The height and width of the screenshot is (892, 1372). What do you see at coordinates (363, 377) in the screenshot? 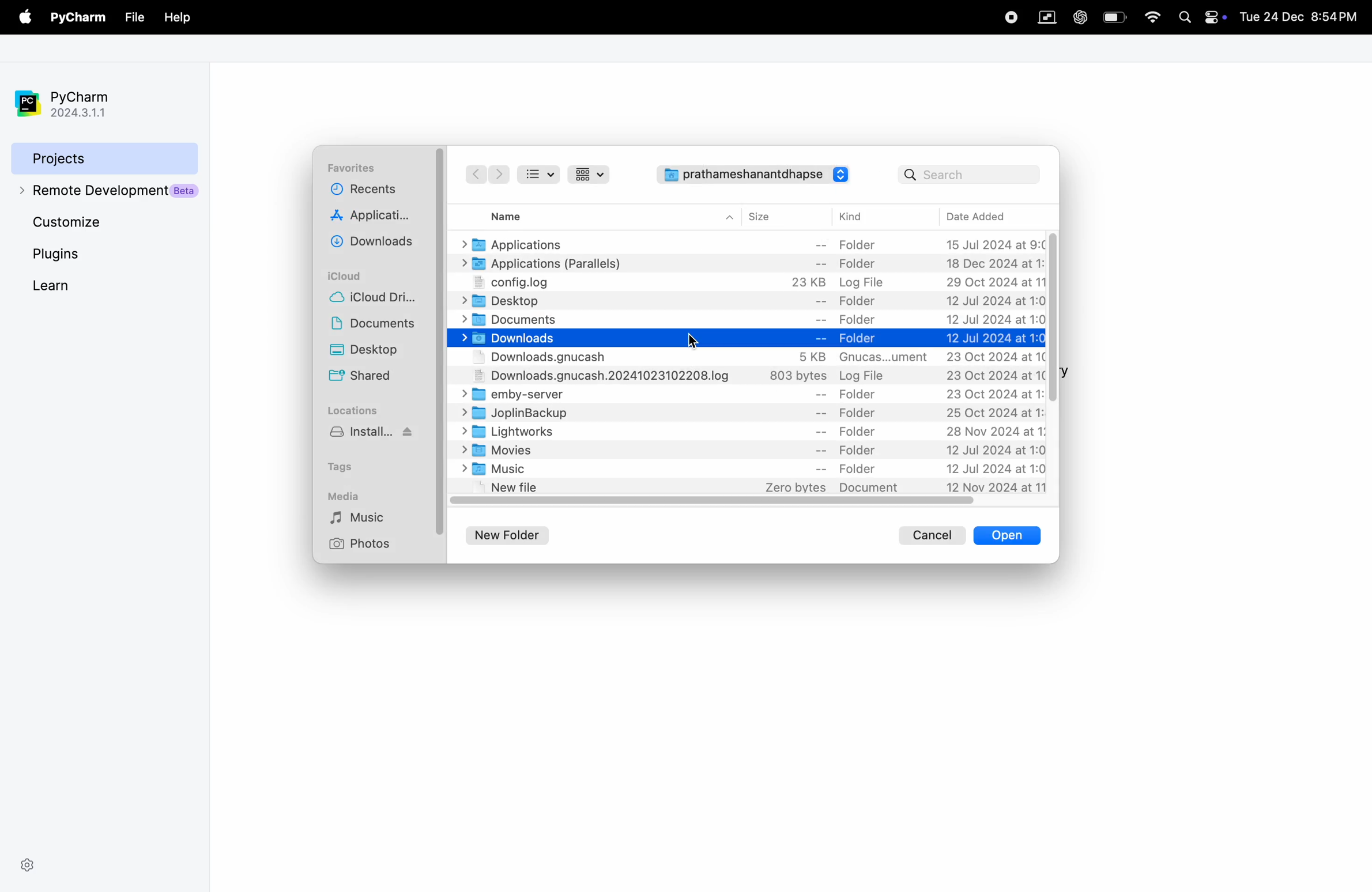
I see `shared` at bounding box center [363, 377].